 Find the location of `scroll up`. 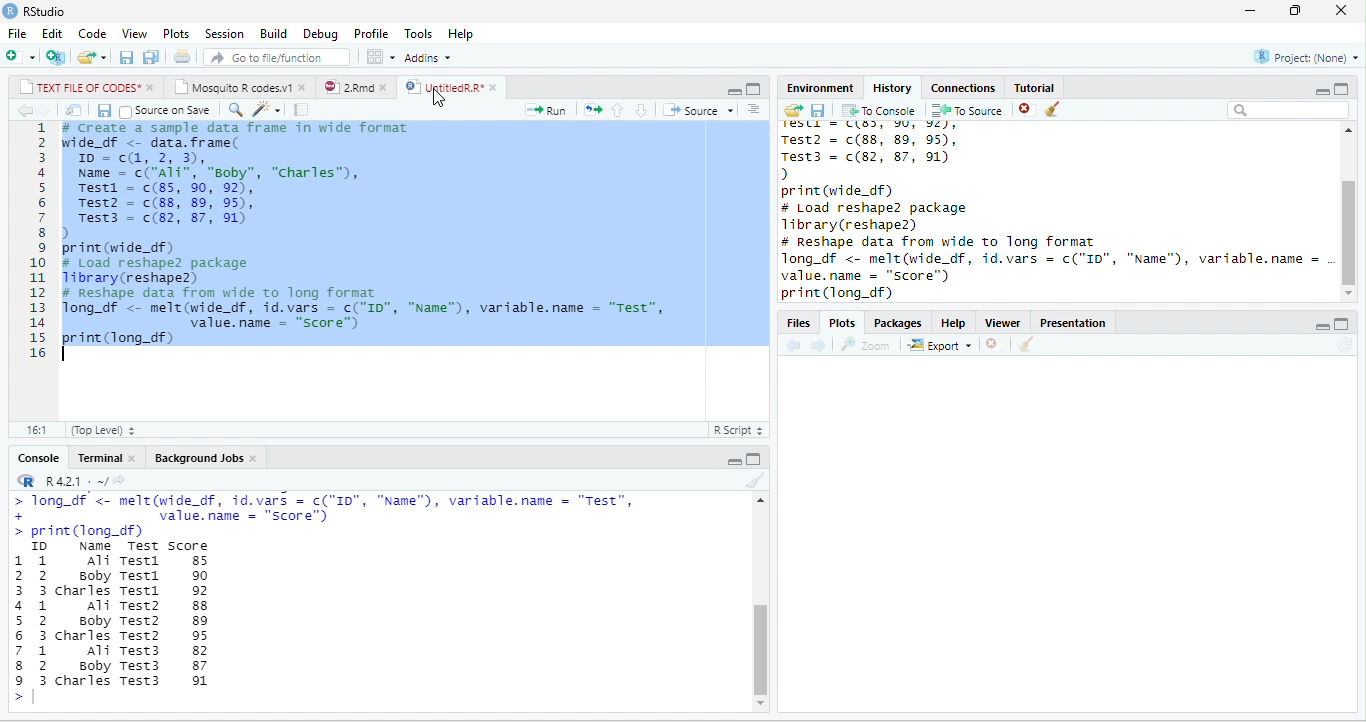

scroll up is located at coordinates (761, 501).